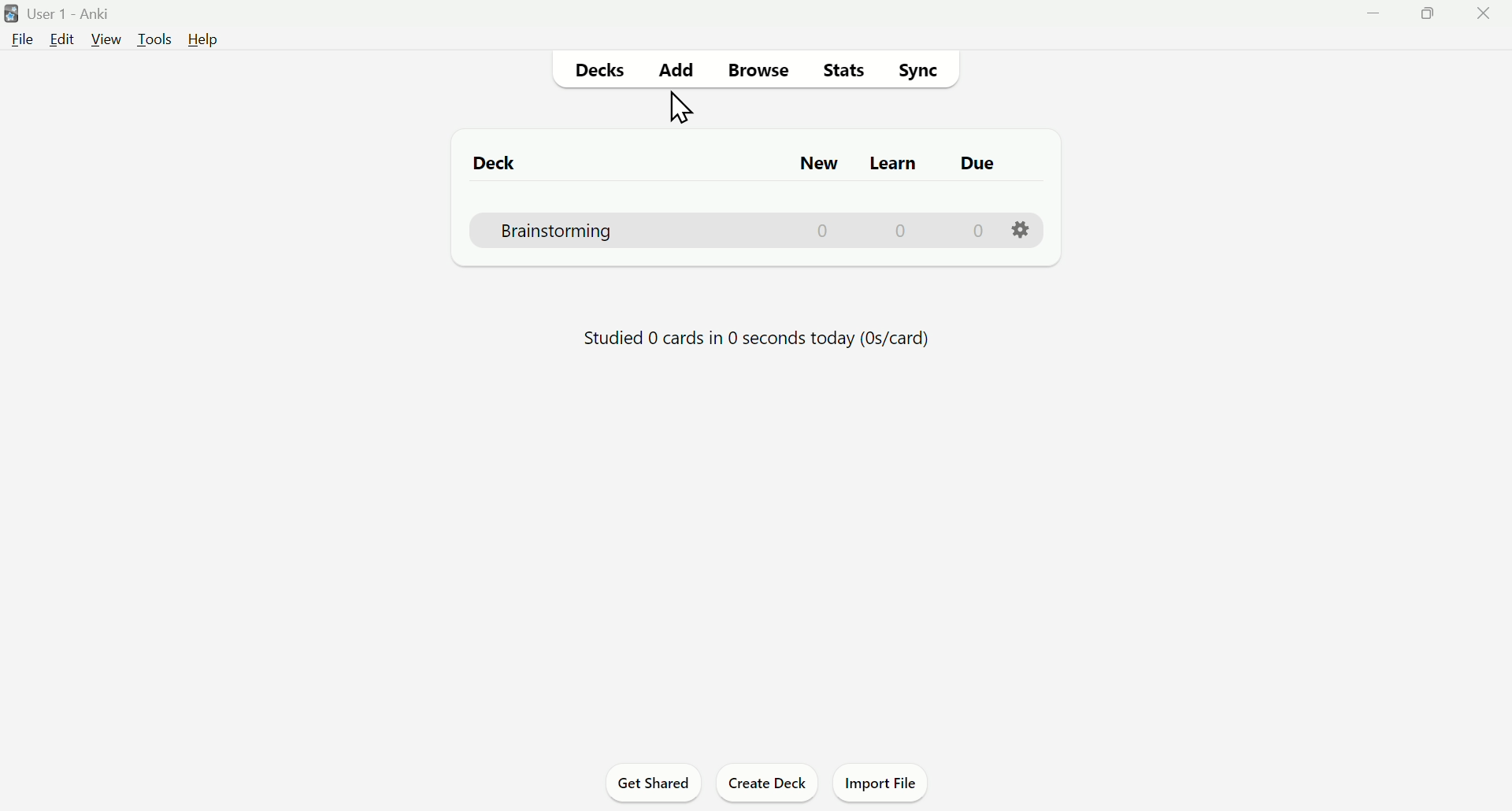 The height and width of the screenshot is (811, 1512). I want to click on  Maimize, so click(1432, 17).